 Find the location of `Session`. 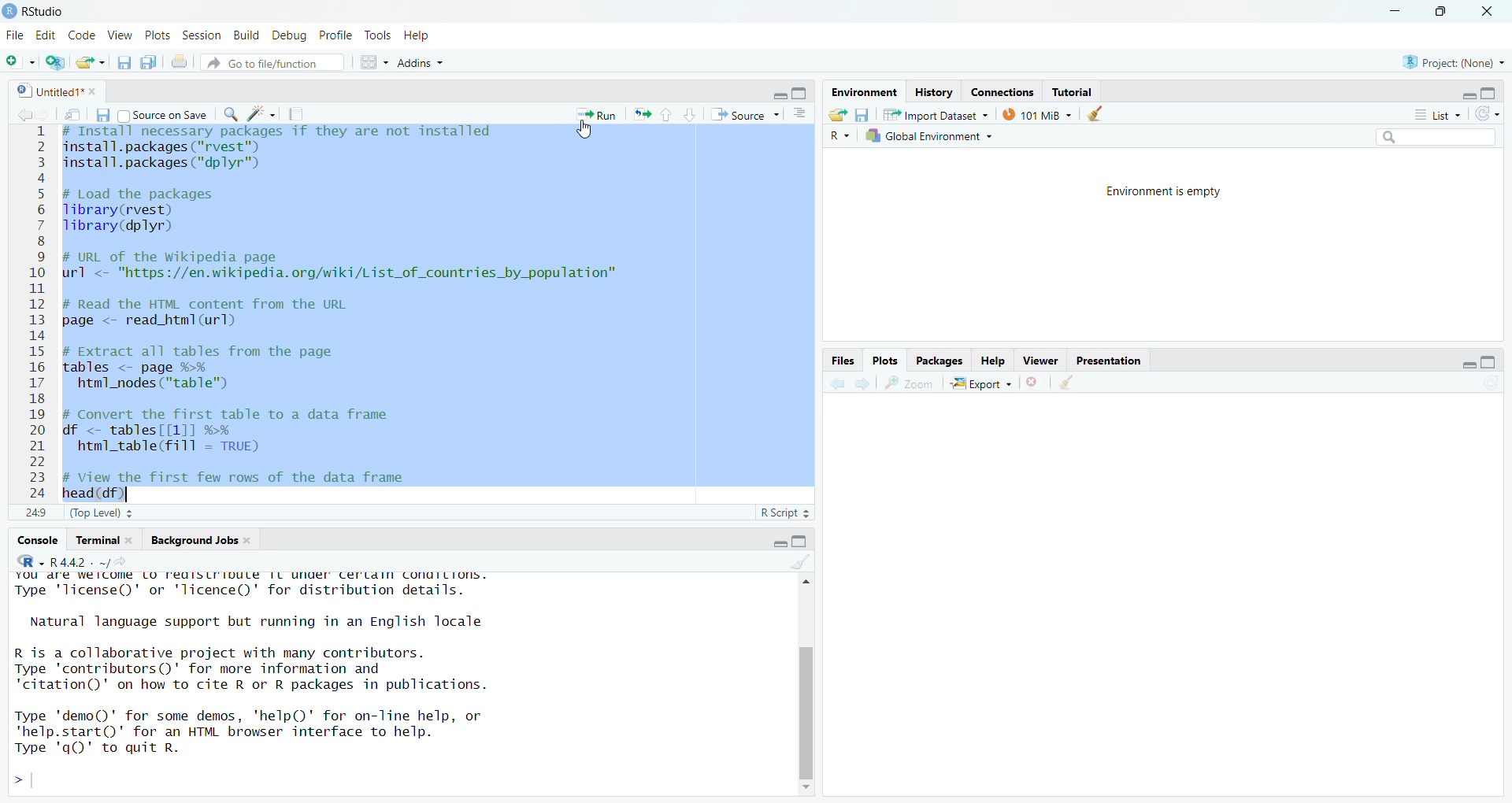

Session is located at coordinates (202, 35).